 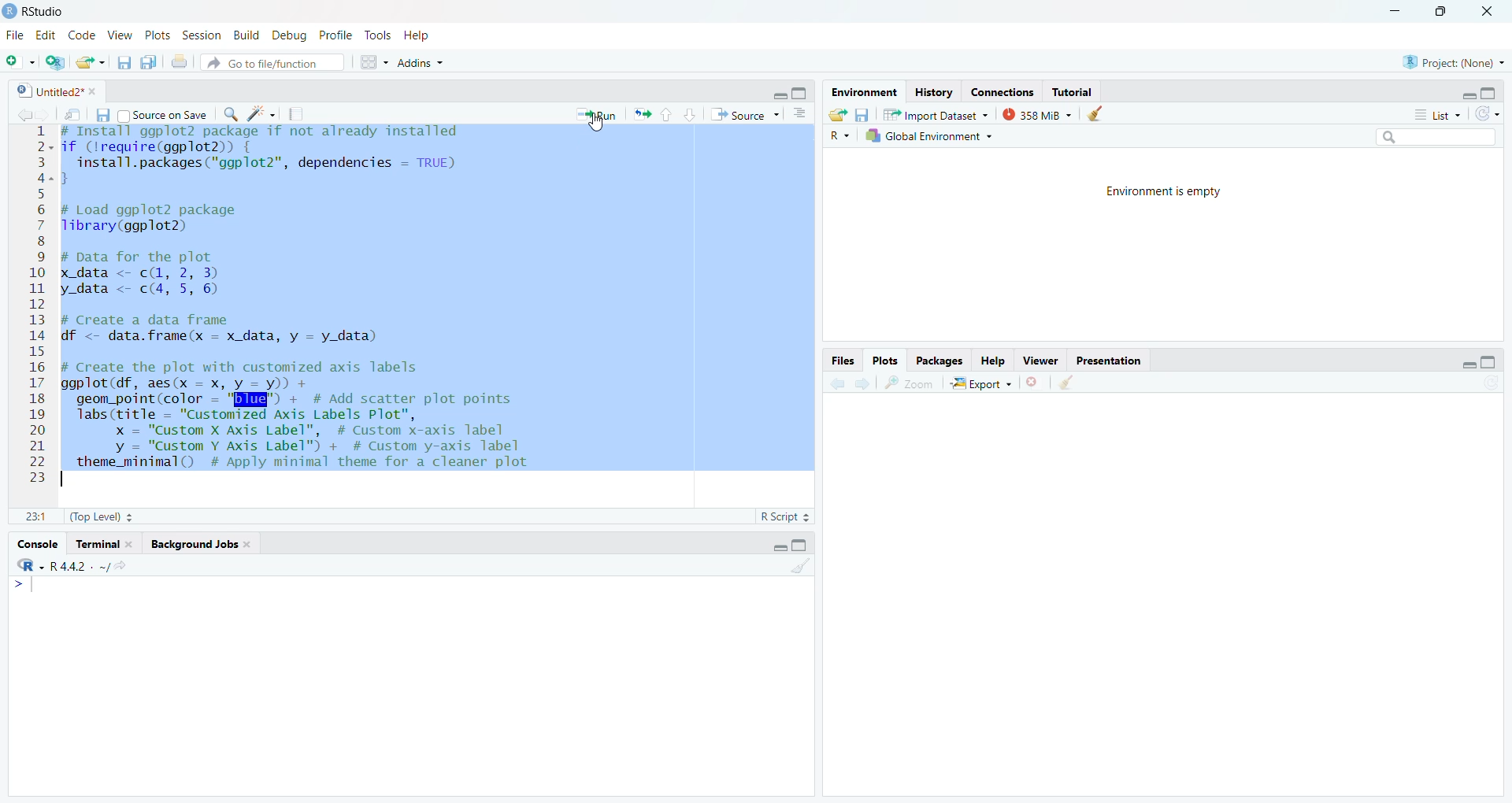 I want to click on zoom, so click(x=910, y=385).